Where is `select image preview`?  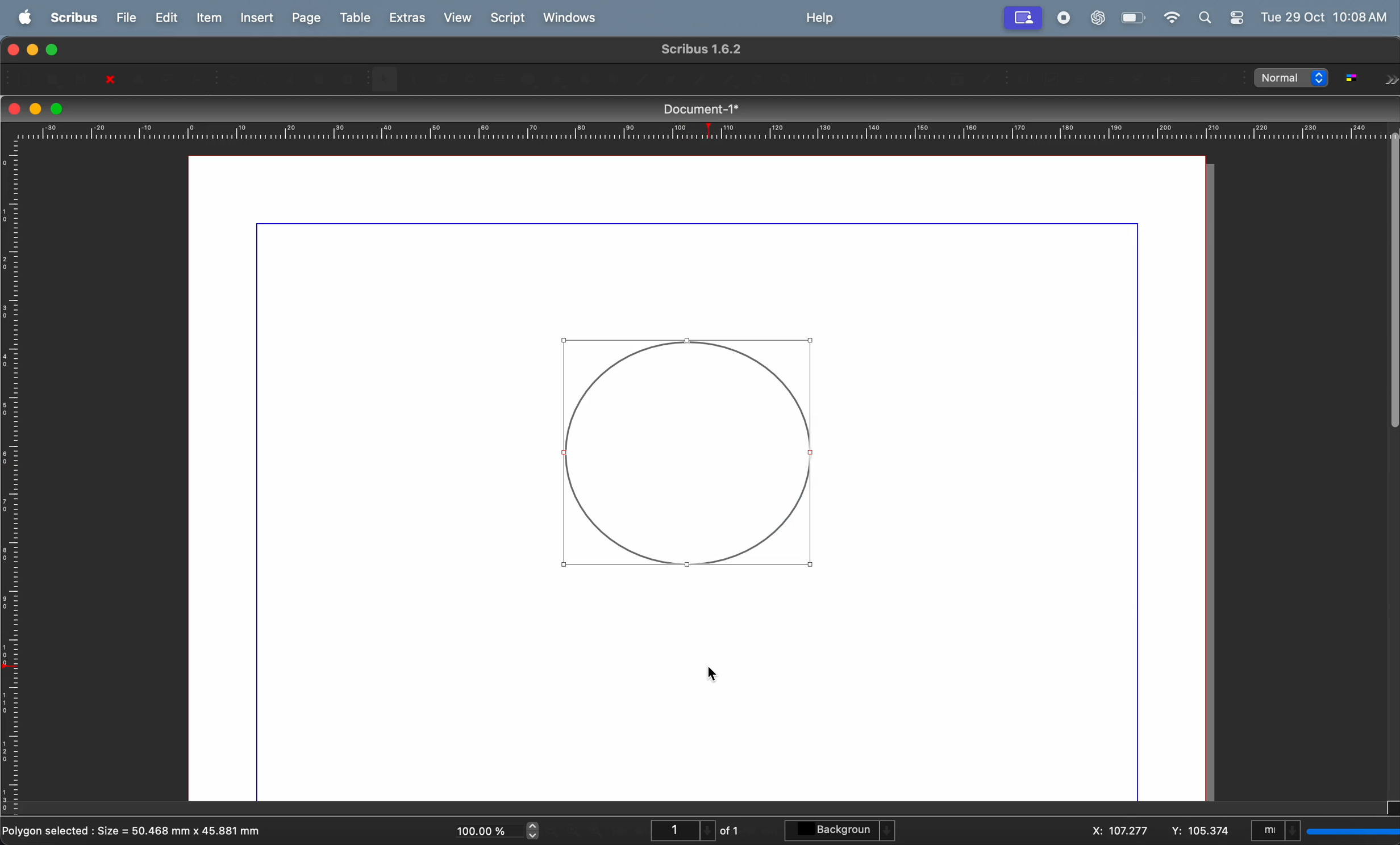
select image preview is located at coordinates (1293, 78).